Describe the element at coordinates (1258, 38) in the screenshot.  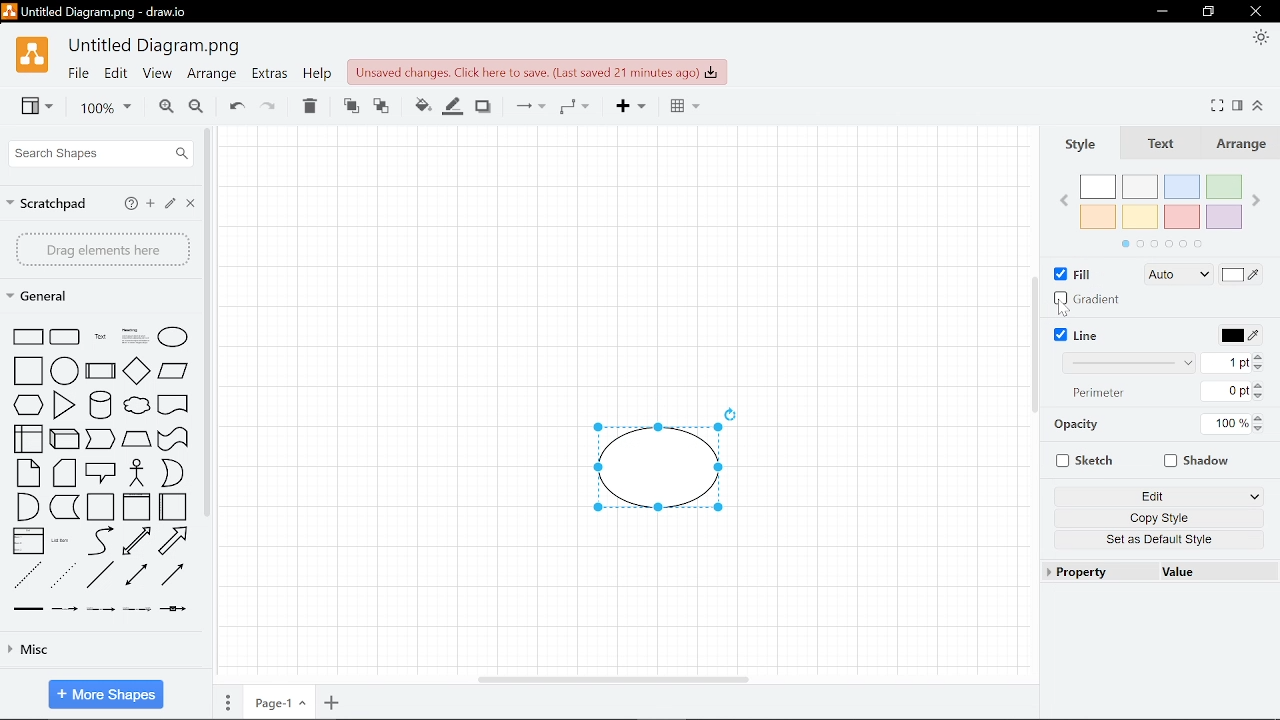
I see `Appearence` at that location.